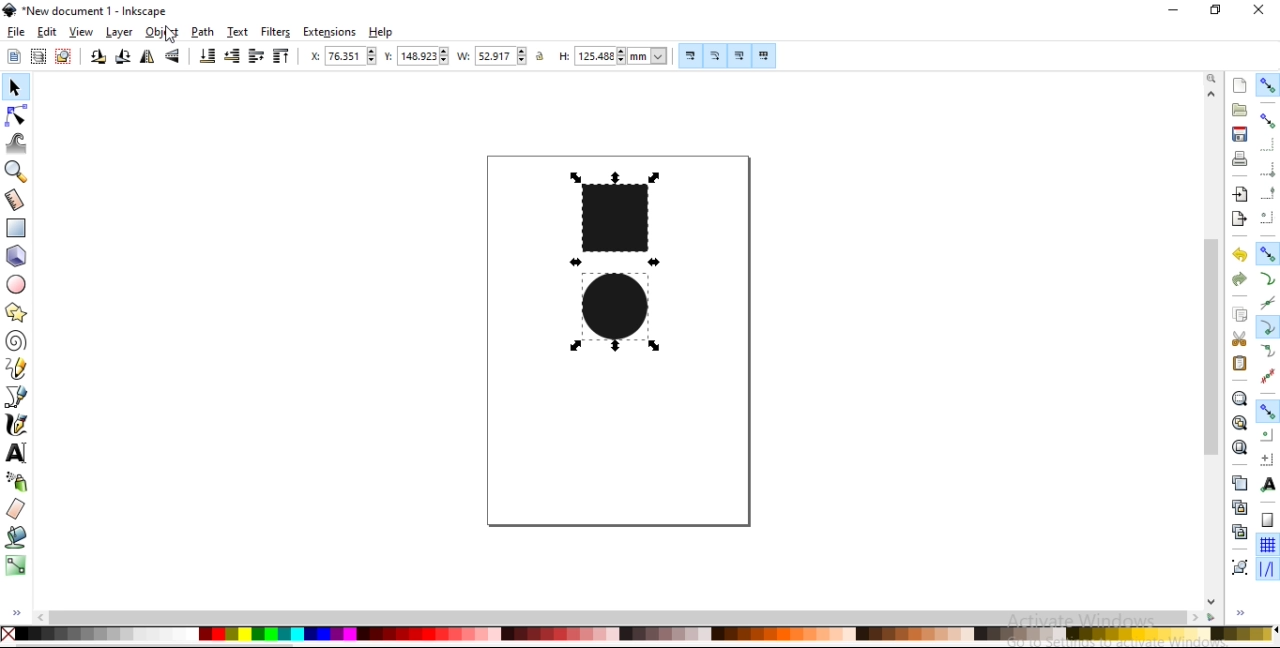 Image resolution: width=1280 pixels, height=648 pixels. What do you see at coordinates (329, 33) in the screenshot?
I see `extensions` at bounding box center [329, 33].